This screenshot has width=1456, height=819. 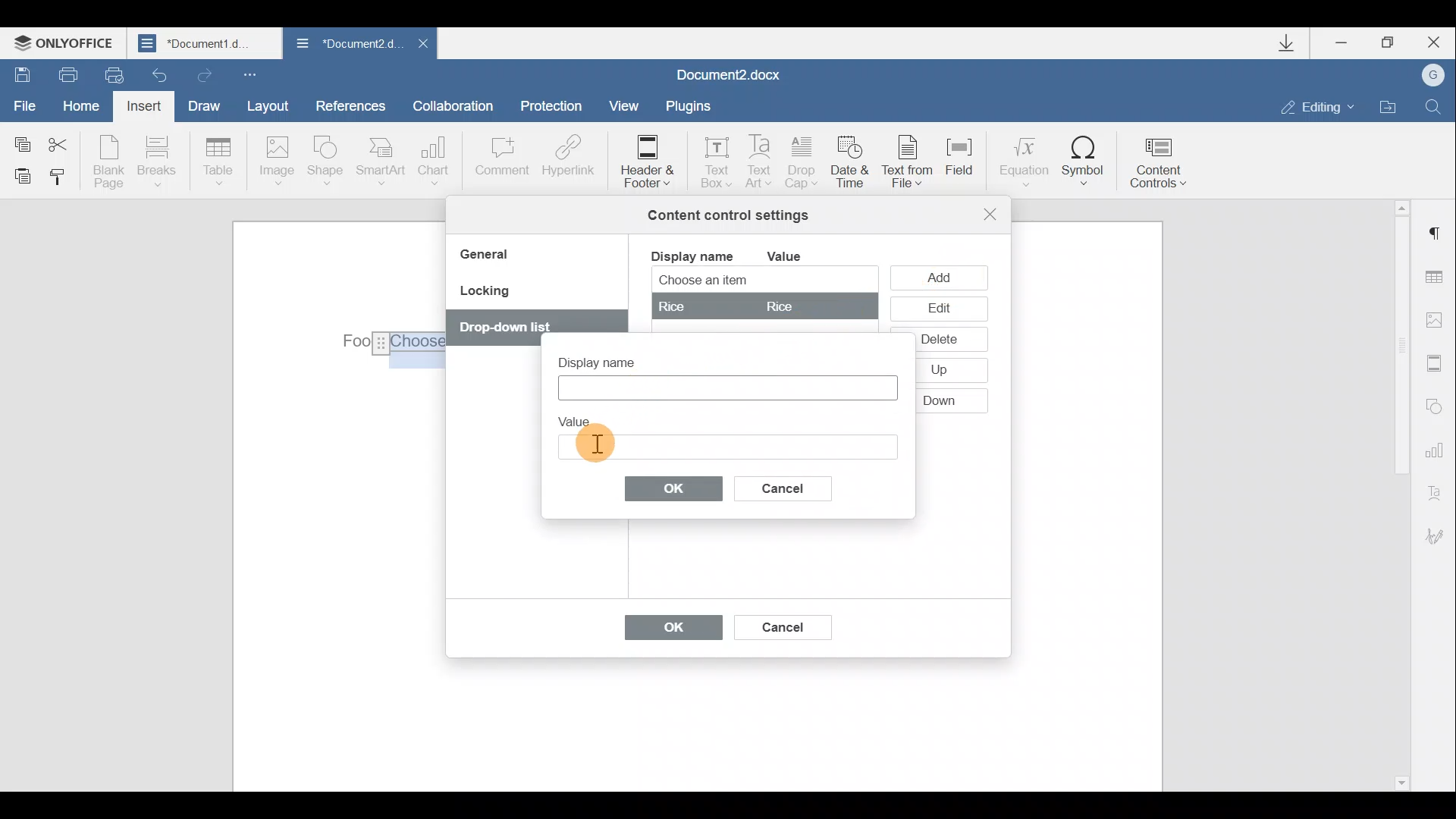 I want to click on File, so click(x=26, y=104).